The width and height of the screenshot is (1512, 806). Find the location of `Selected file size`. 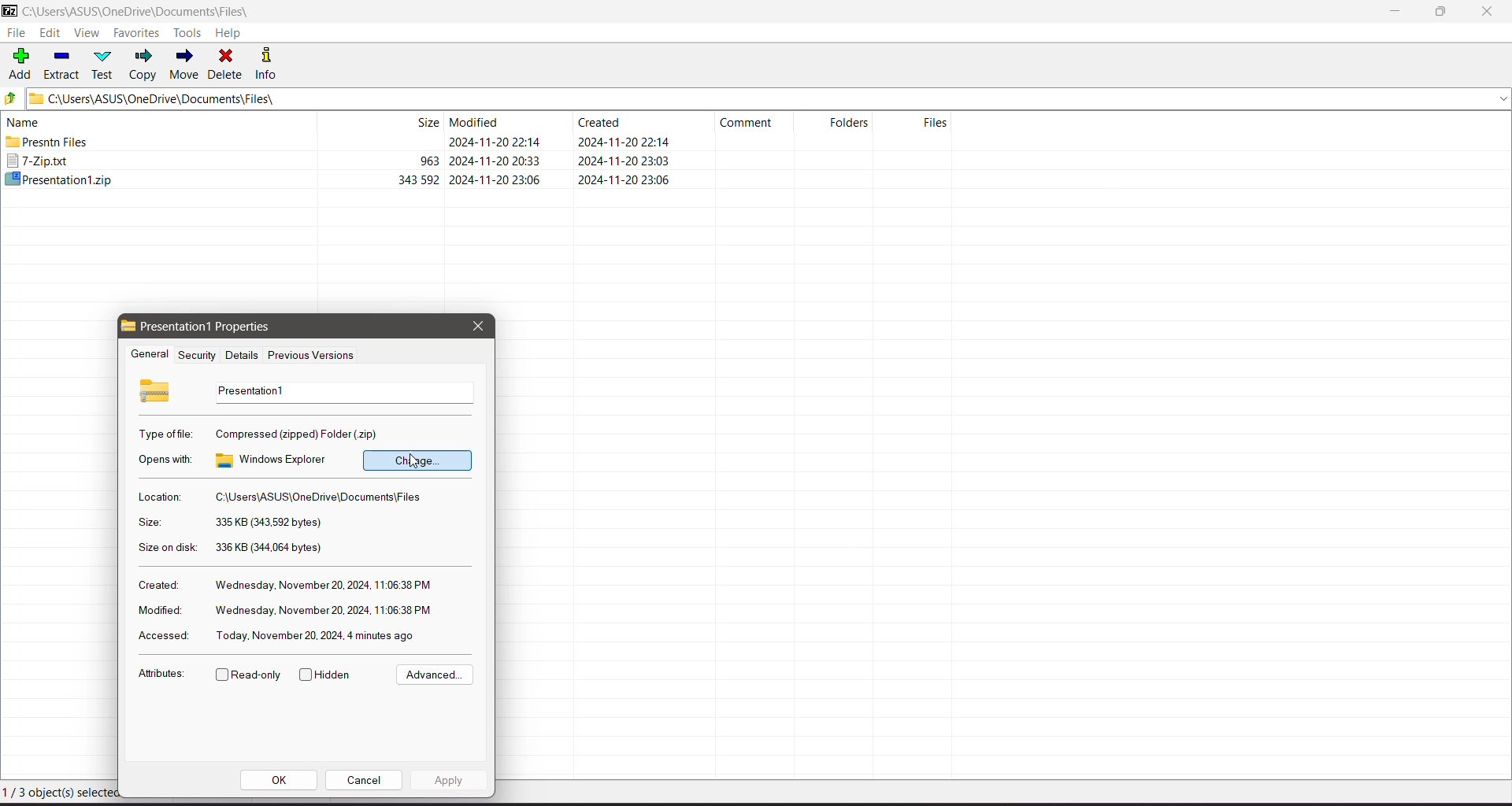

Selected file size is located at coordinates (268, 523).